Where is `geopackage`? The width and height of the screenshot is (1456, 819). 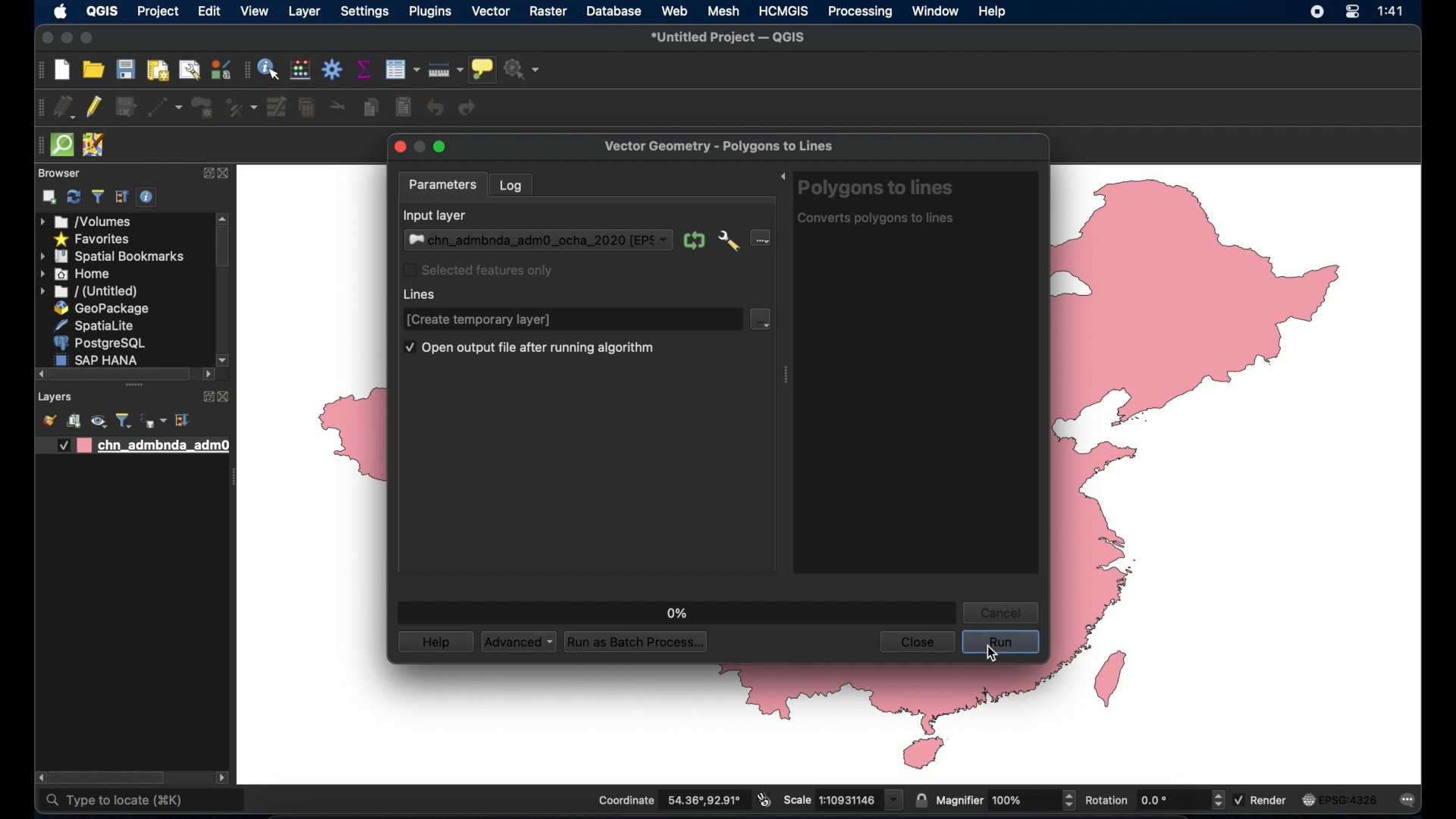 geopackage is located at coordinates (105, 309).